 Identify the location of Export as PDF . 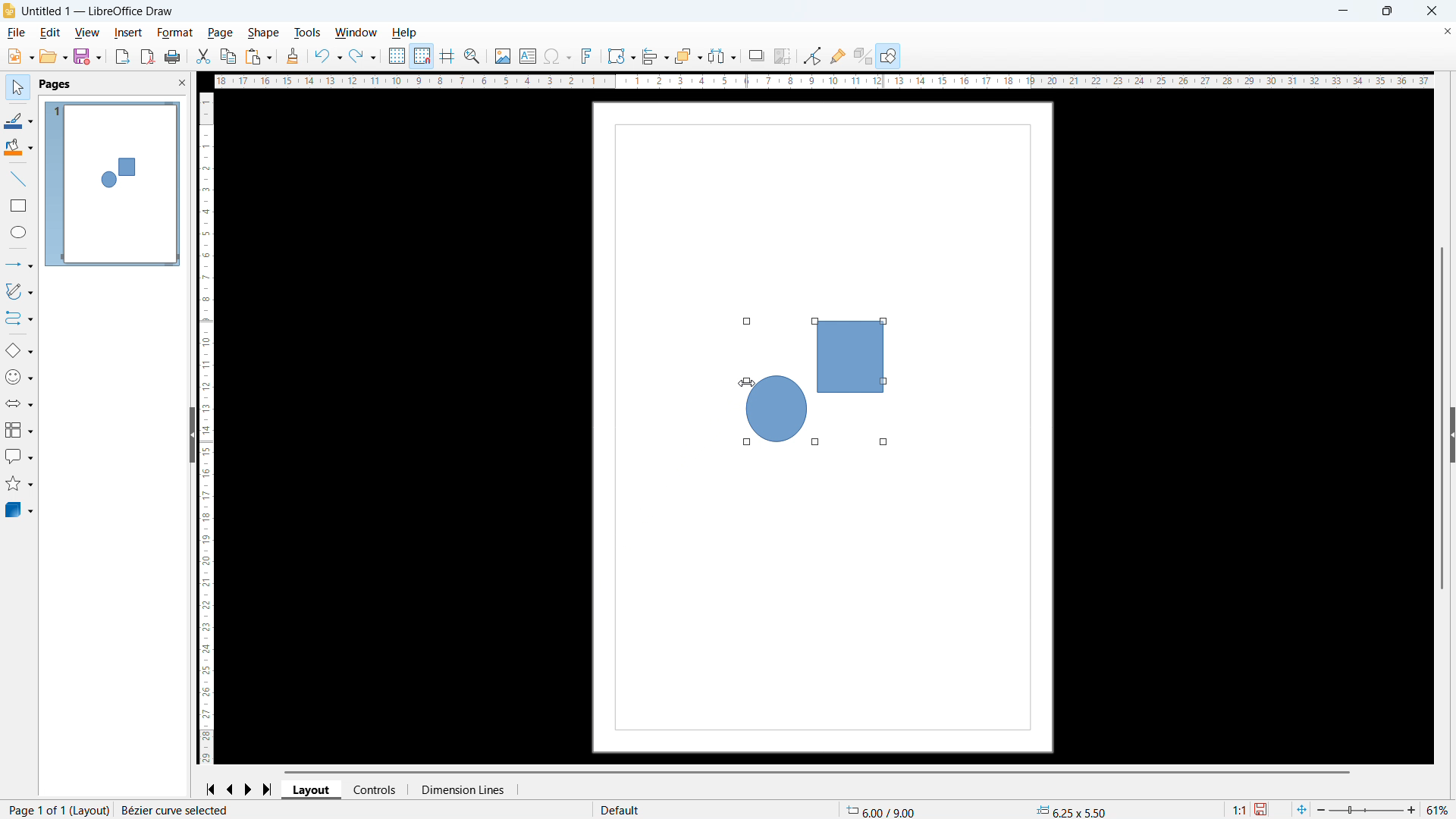
(147, 56).